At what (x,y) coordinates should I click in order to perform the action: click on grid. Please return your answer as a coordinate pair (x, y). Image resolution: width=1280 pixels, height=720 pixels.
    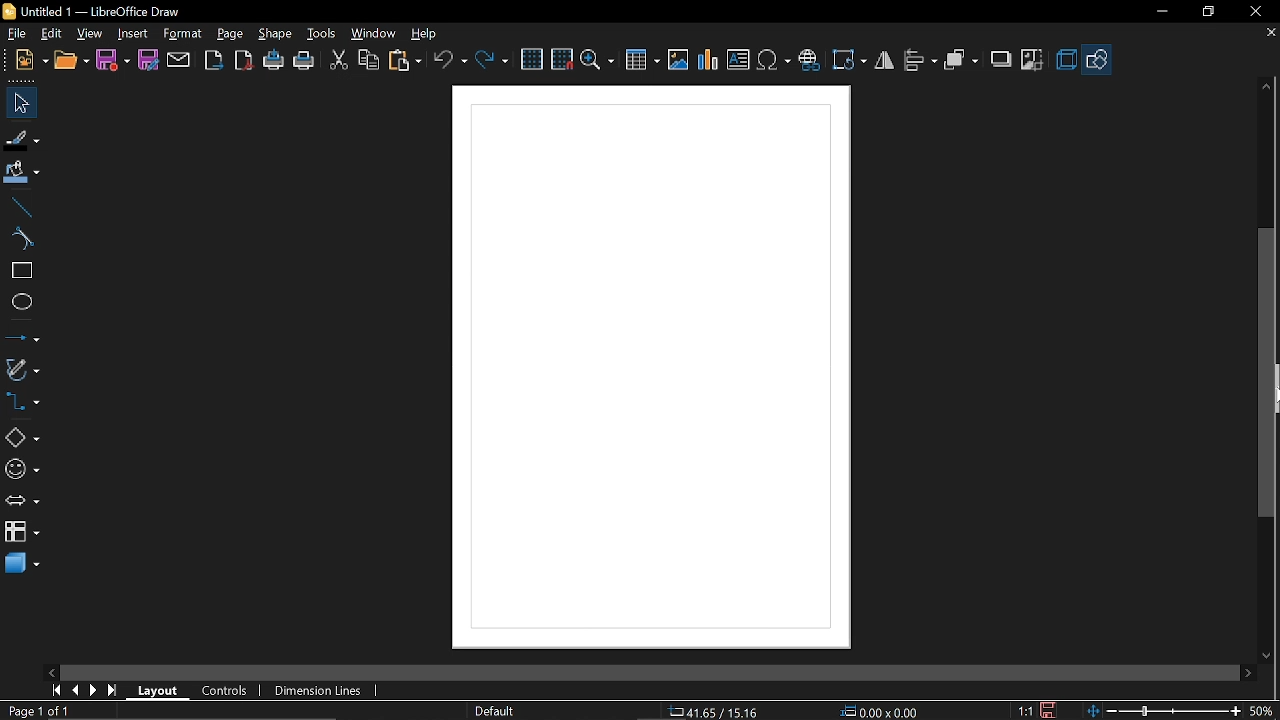
    Looking at the image, I should click on (534, 60).